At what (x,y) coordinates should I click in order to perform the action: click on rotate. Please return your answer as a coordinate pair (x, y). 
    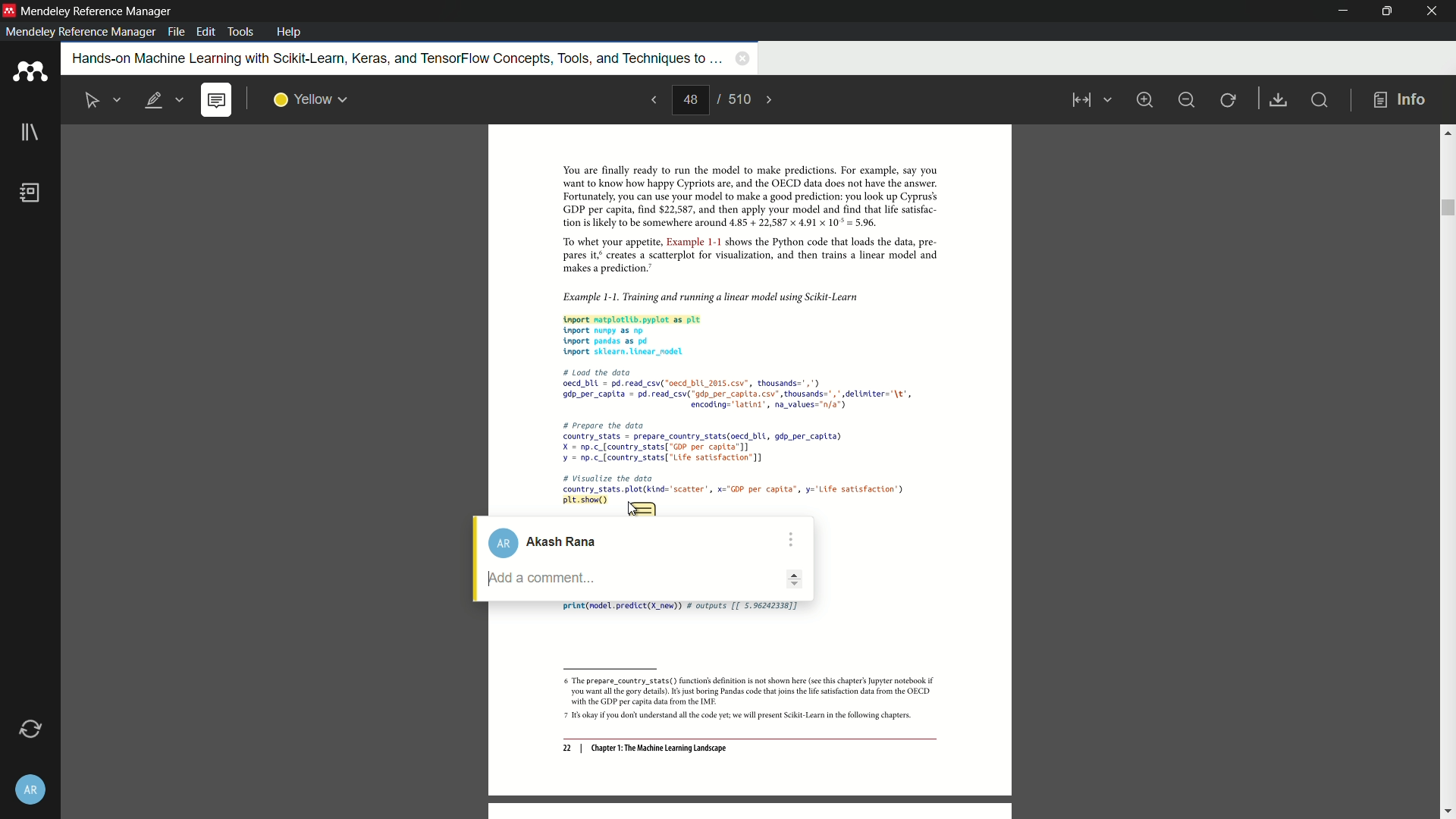
    Looking at the image, I should click on (1229, 101).